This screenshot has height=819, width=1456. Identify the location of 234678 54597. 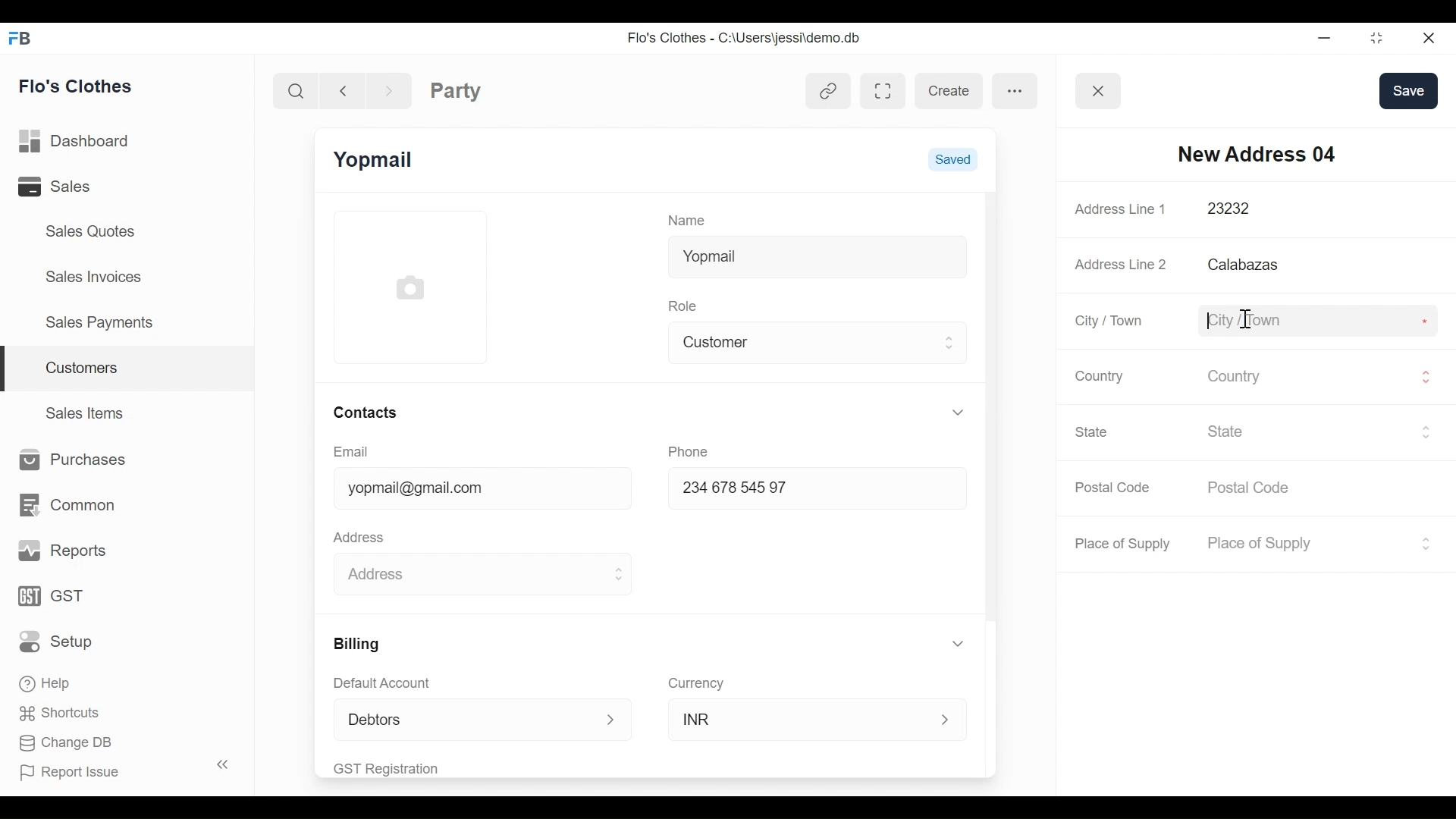
(802, 490).